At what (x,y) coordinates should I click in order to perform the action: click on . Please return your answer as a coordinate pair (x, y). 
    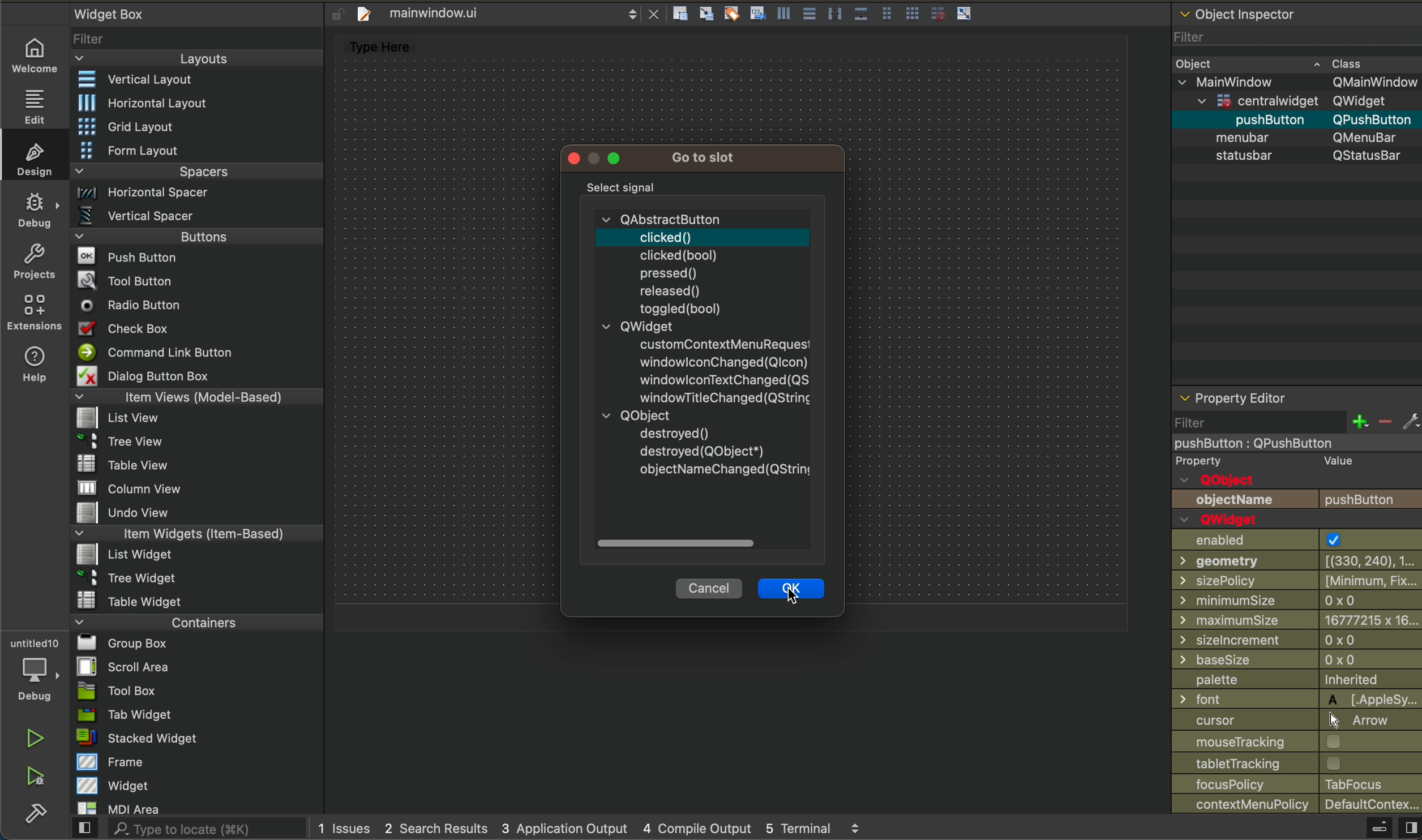
    Looking at the image, I should click on (1306, 139).